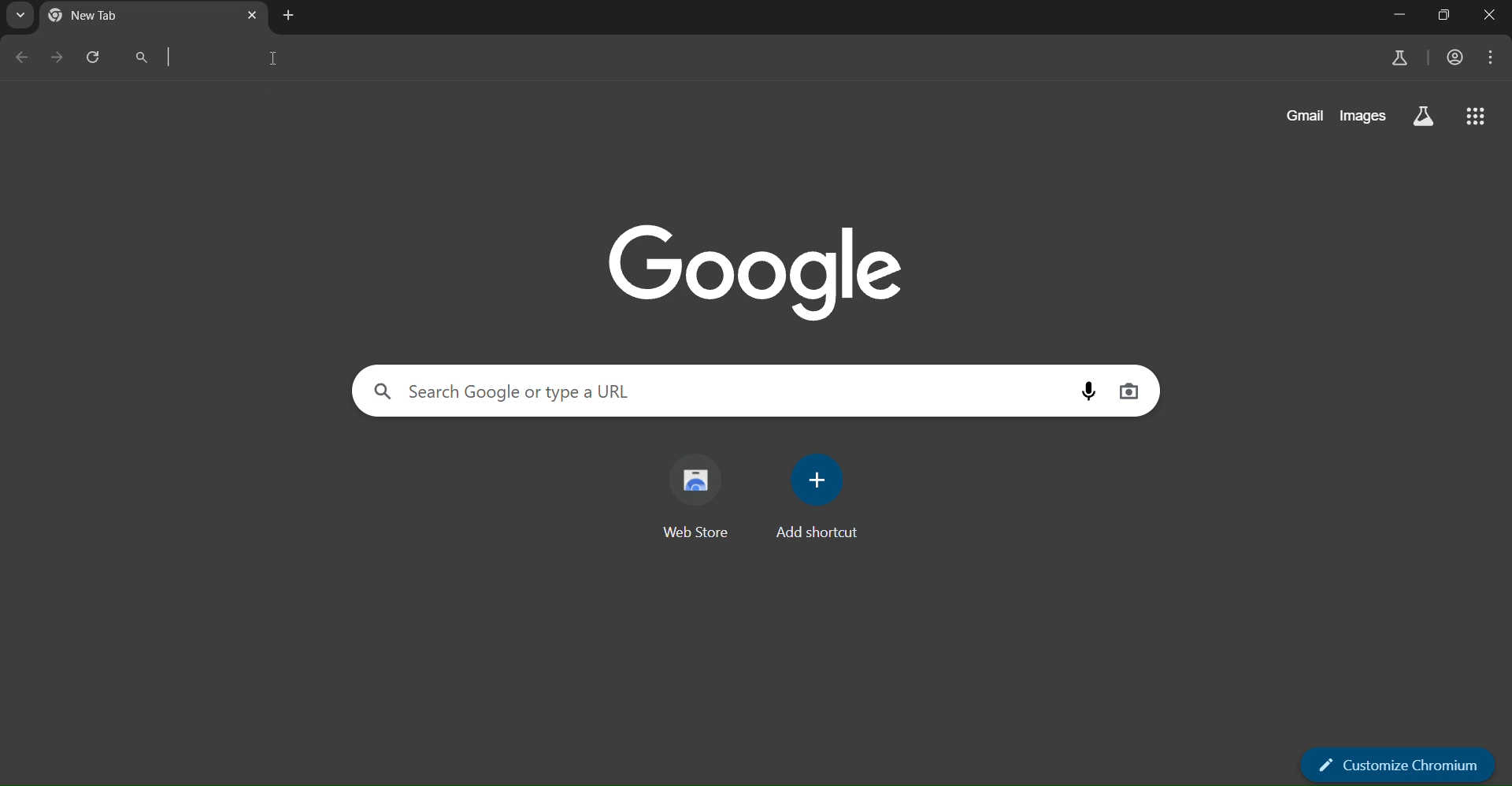 Image resolution: width=1512 pixels, height=786 pixels. What do you see at coordinates (1129, 391) in the screenshot?
I see `image search` at bounding box center [1129, 391].